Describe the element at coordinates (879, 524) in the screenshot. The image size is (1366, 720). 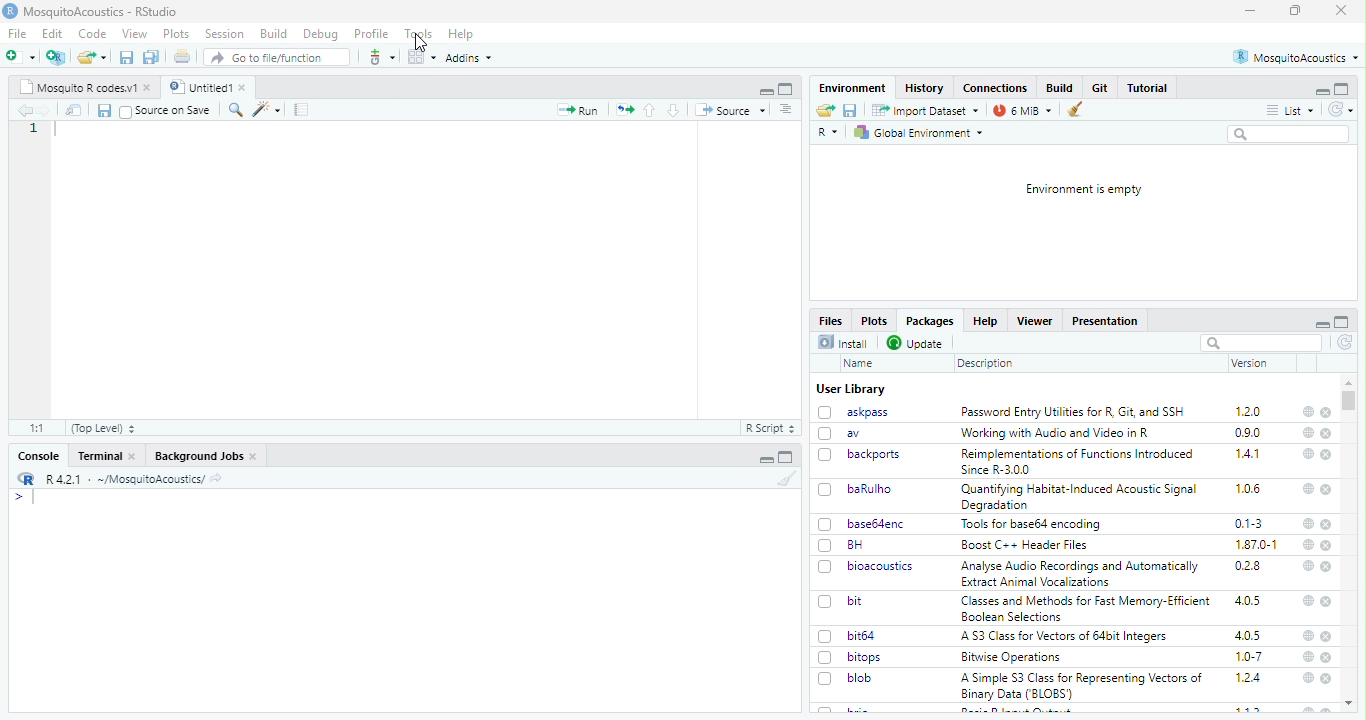
I see `base64enc` at that location.